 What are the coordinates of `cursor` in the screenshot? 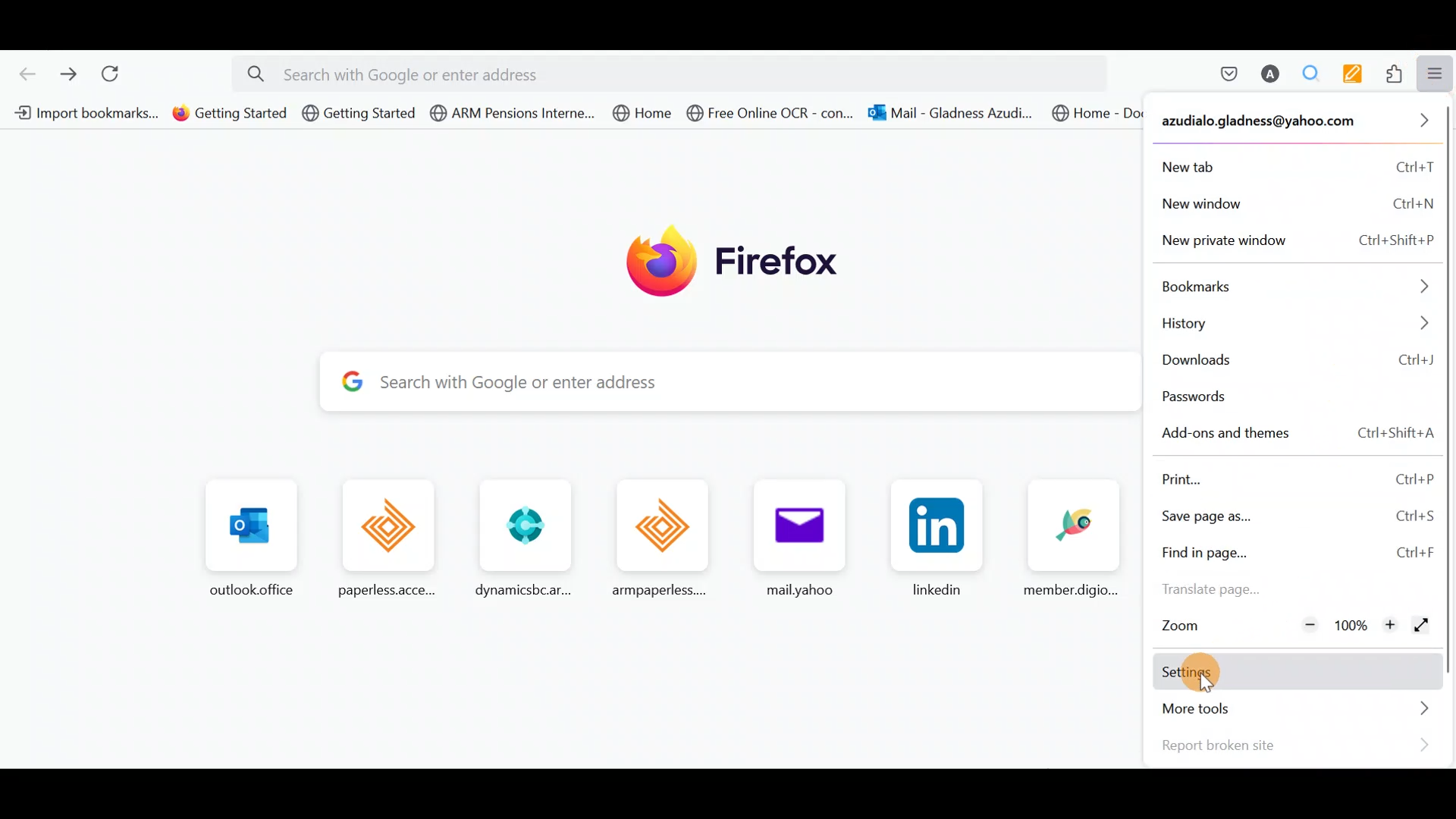 It's located at (1198, 687).